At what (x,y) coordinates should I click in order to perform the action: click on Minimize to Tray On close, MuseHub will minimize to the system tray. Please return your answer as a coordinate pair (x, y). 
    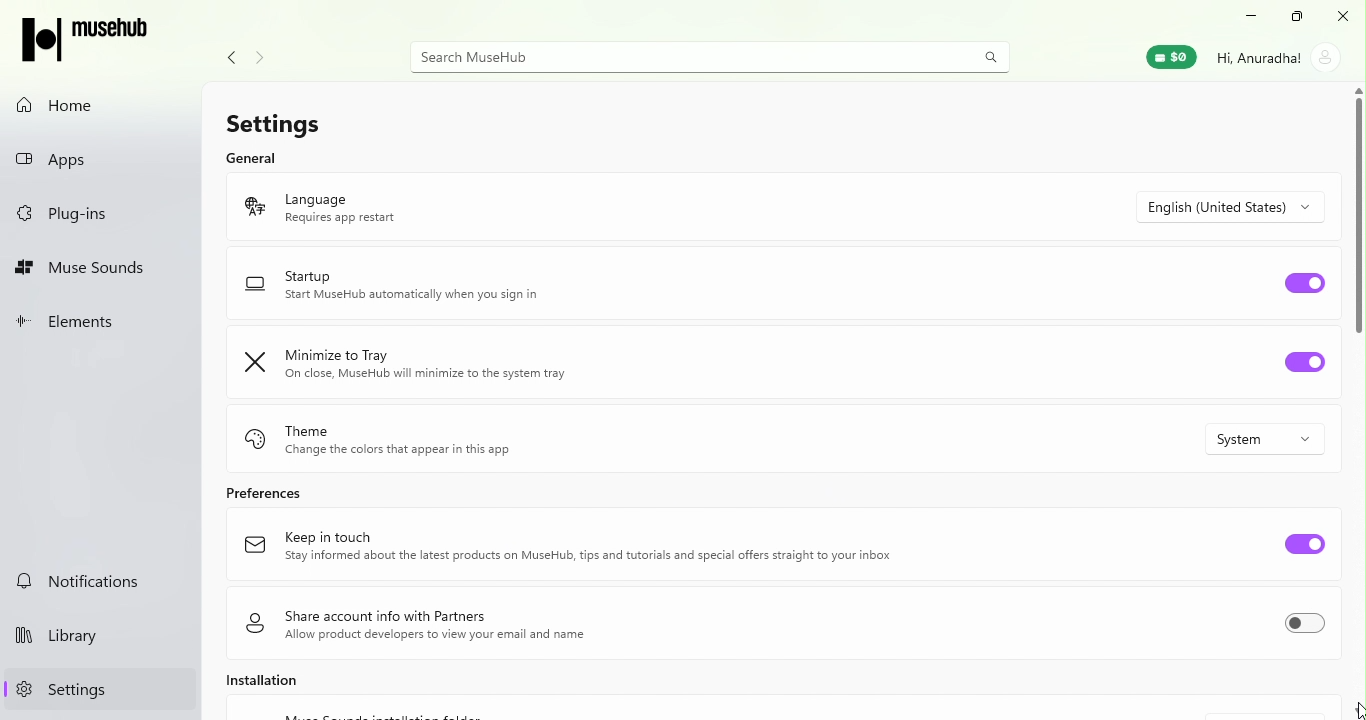
    Looking at the image, I should click on (424, 365).